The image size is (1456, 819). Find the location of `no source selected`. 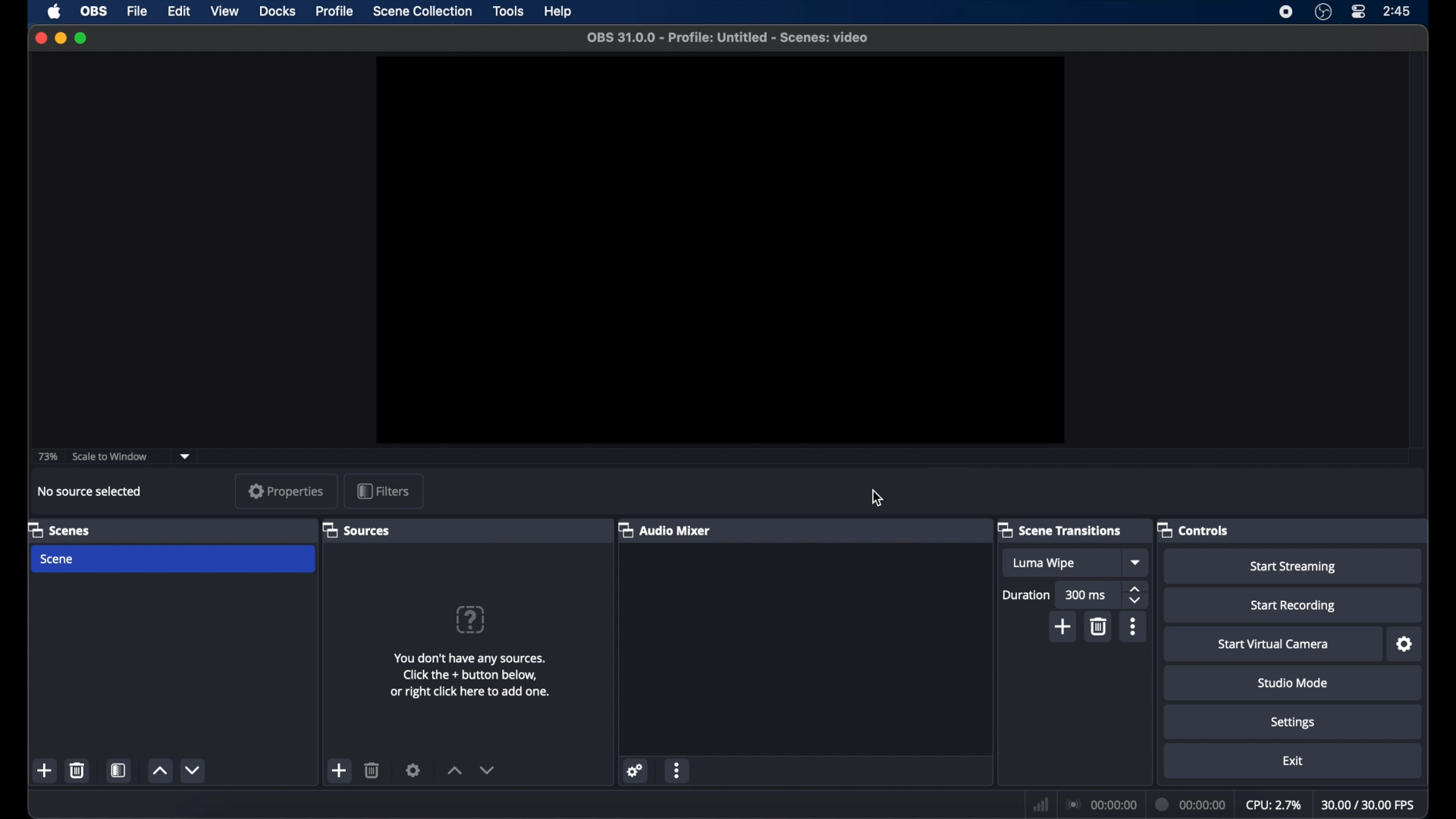

no source selected is located at coordinates (90, 491).